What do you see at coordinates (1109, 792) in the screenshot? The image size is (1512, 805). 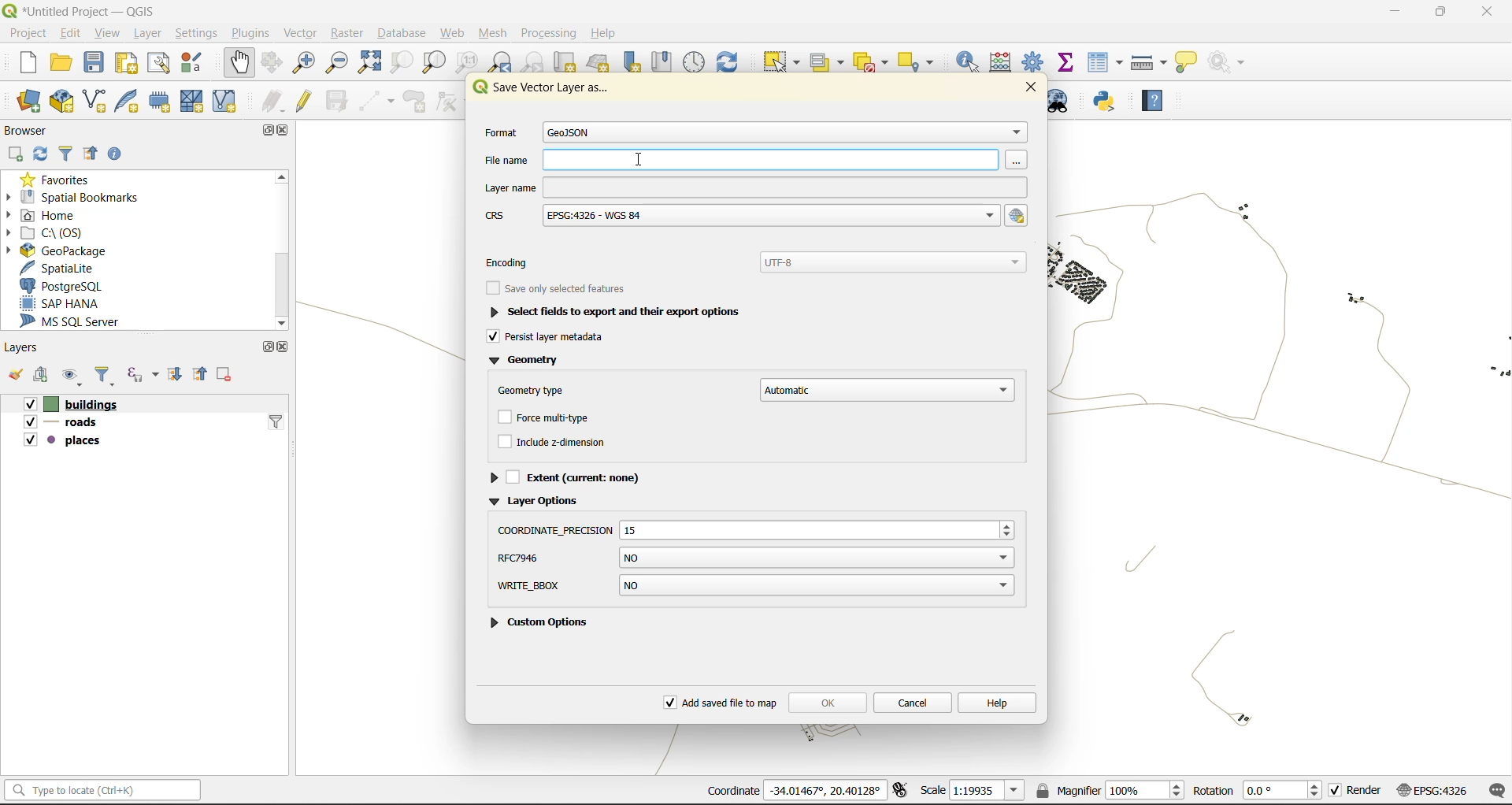 I see `magnifier` at bounding box center [1109, 792].